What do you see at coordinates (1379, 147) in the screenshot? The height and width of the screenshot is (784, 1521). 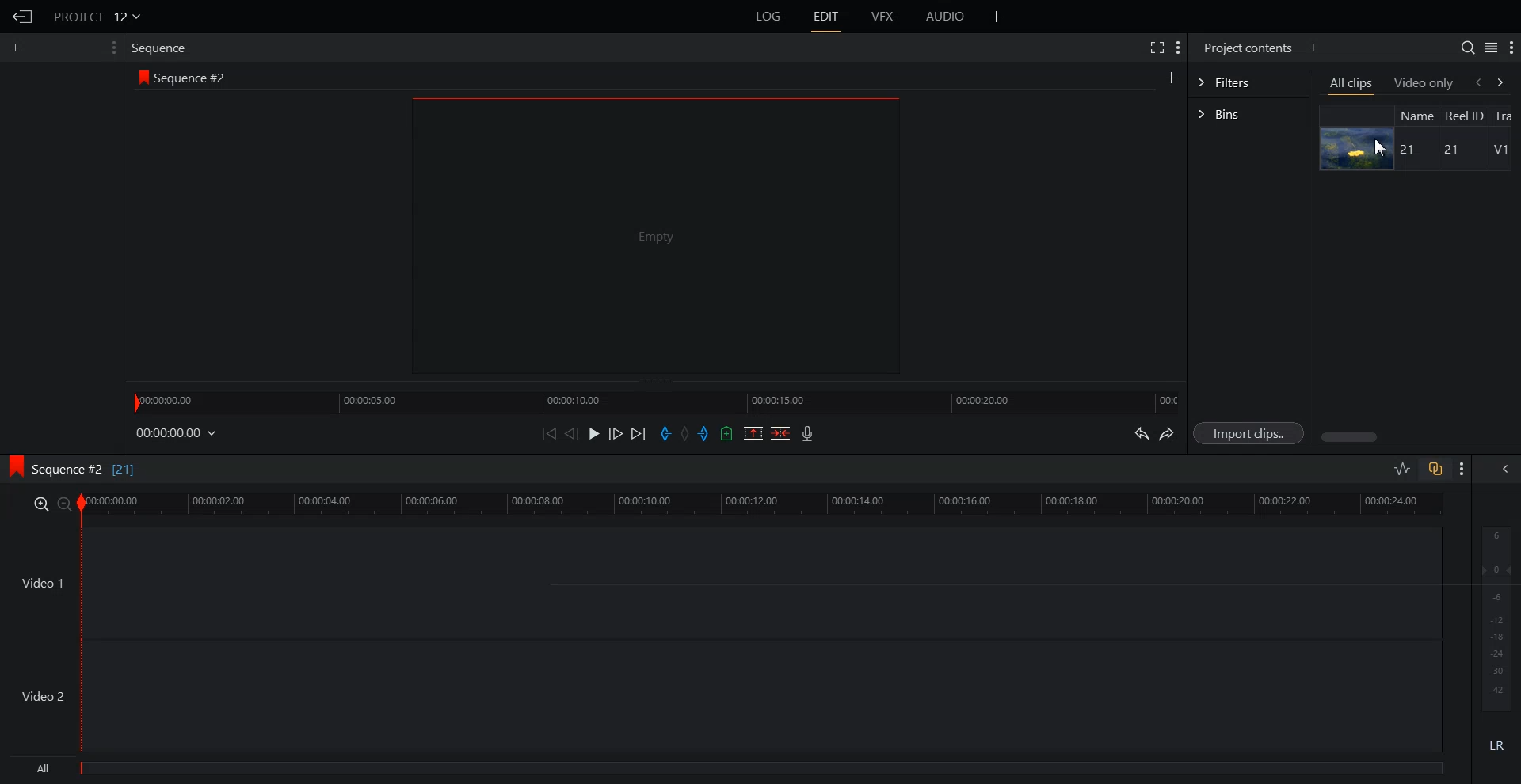 I see `Cursor` at bounding box center [1379, 147].